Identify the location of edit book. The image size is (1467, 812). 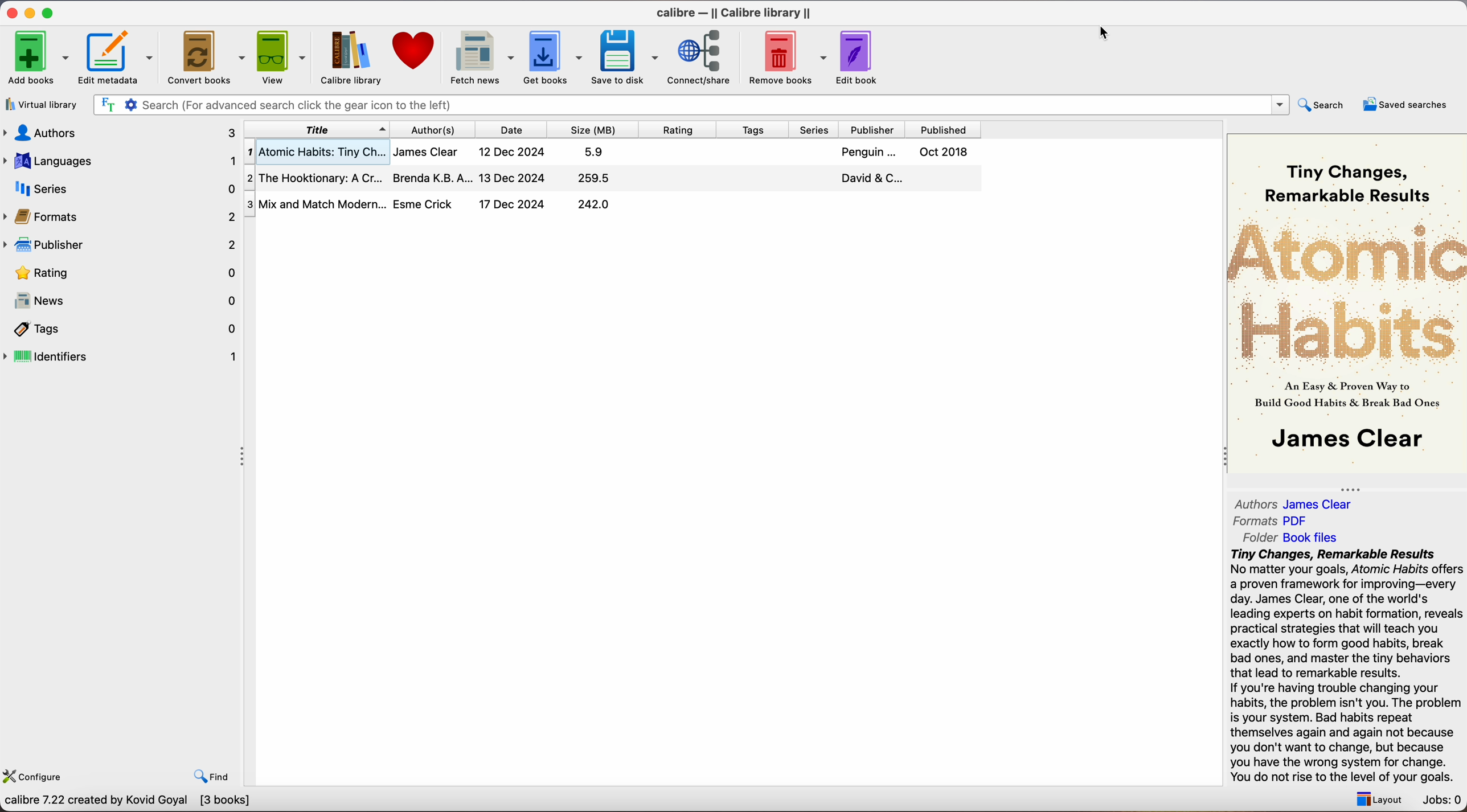
(859, 58).